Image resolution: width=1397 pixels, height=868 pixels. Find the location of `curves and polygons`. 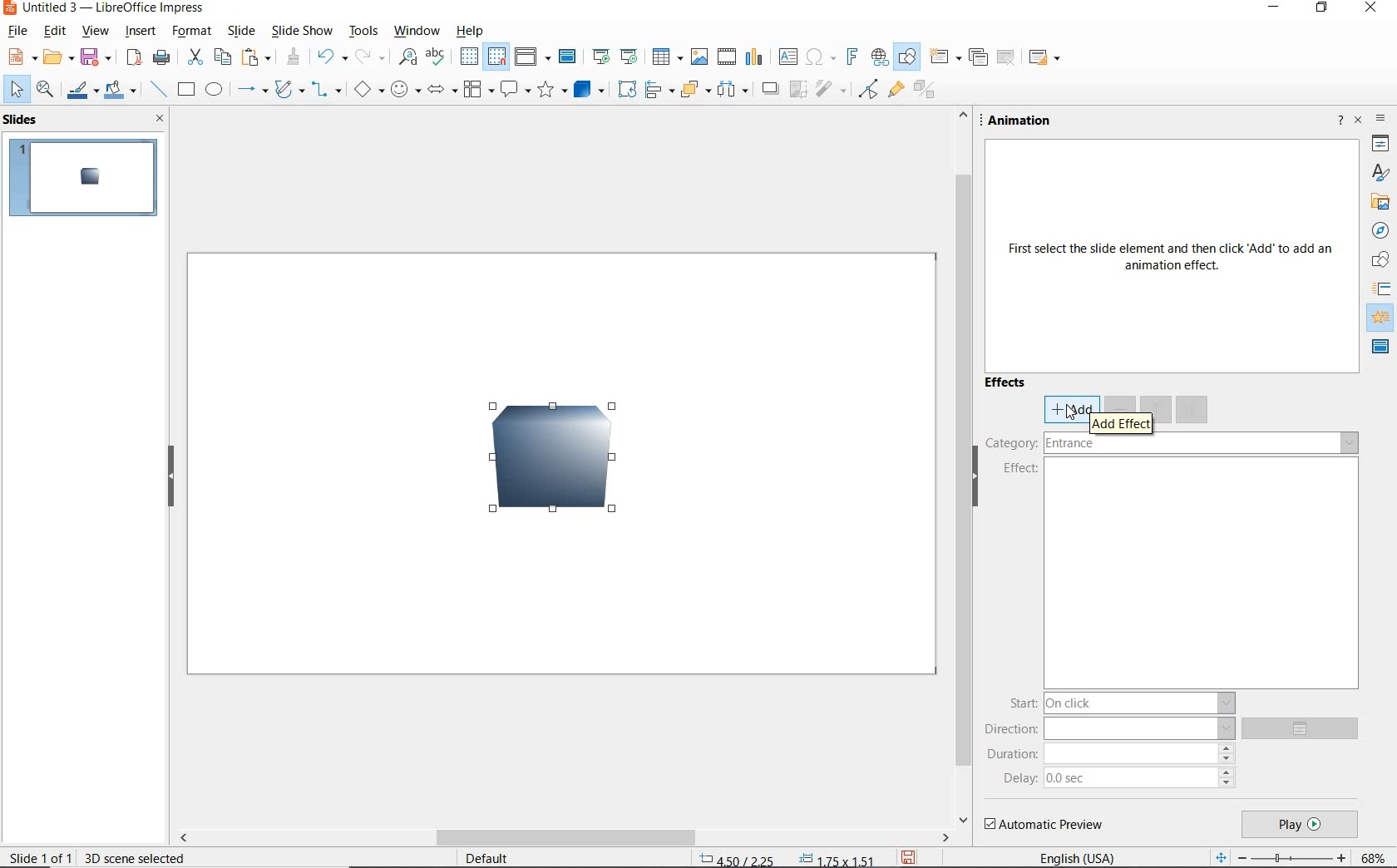

curves and polygons is located at coordinates (289, 91).